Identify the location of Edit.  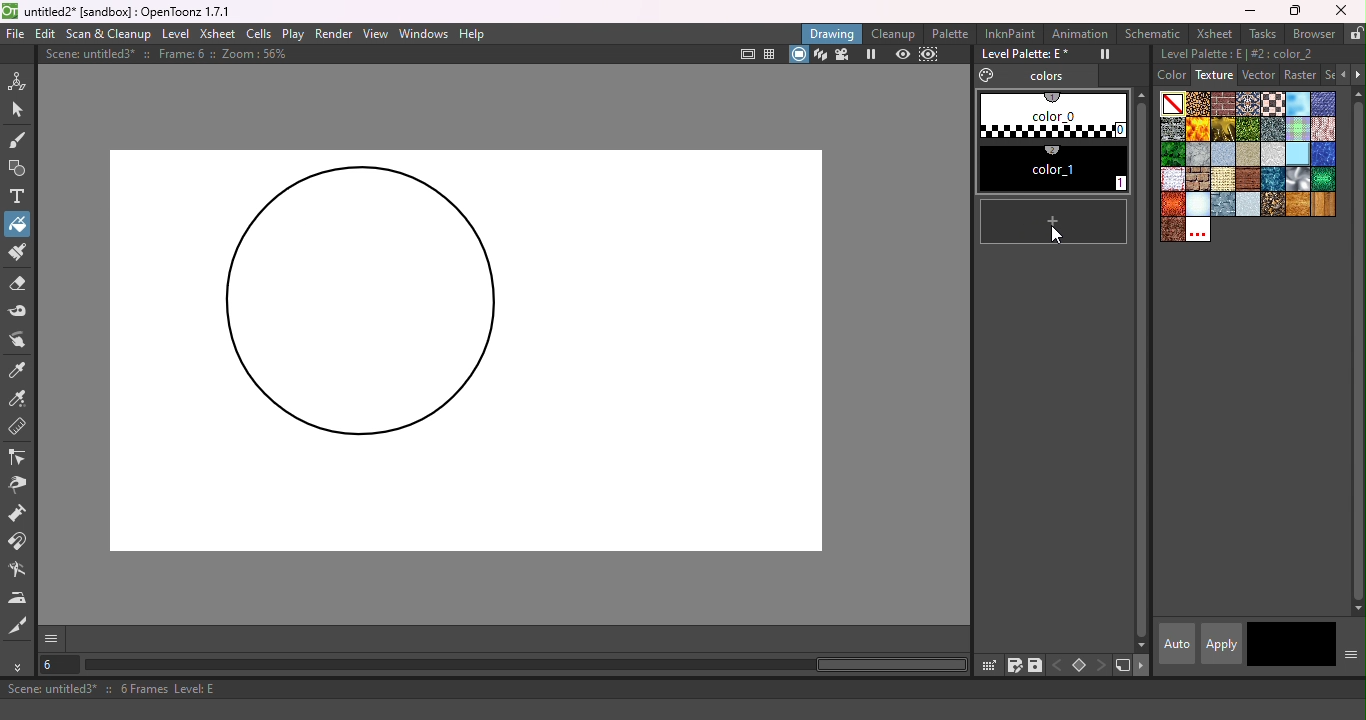
(46, 34).